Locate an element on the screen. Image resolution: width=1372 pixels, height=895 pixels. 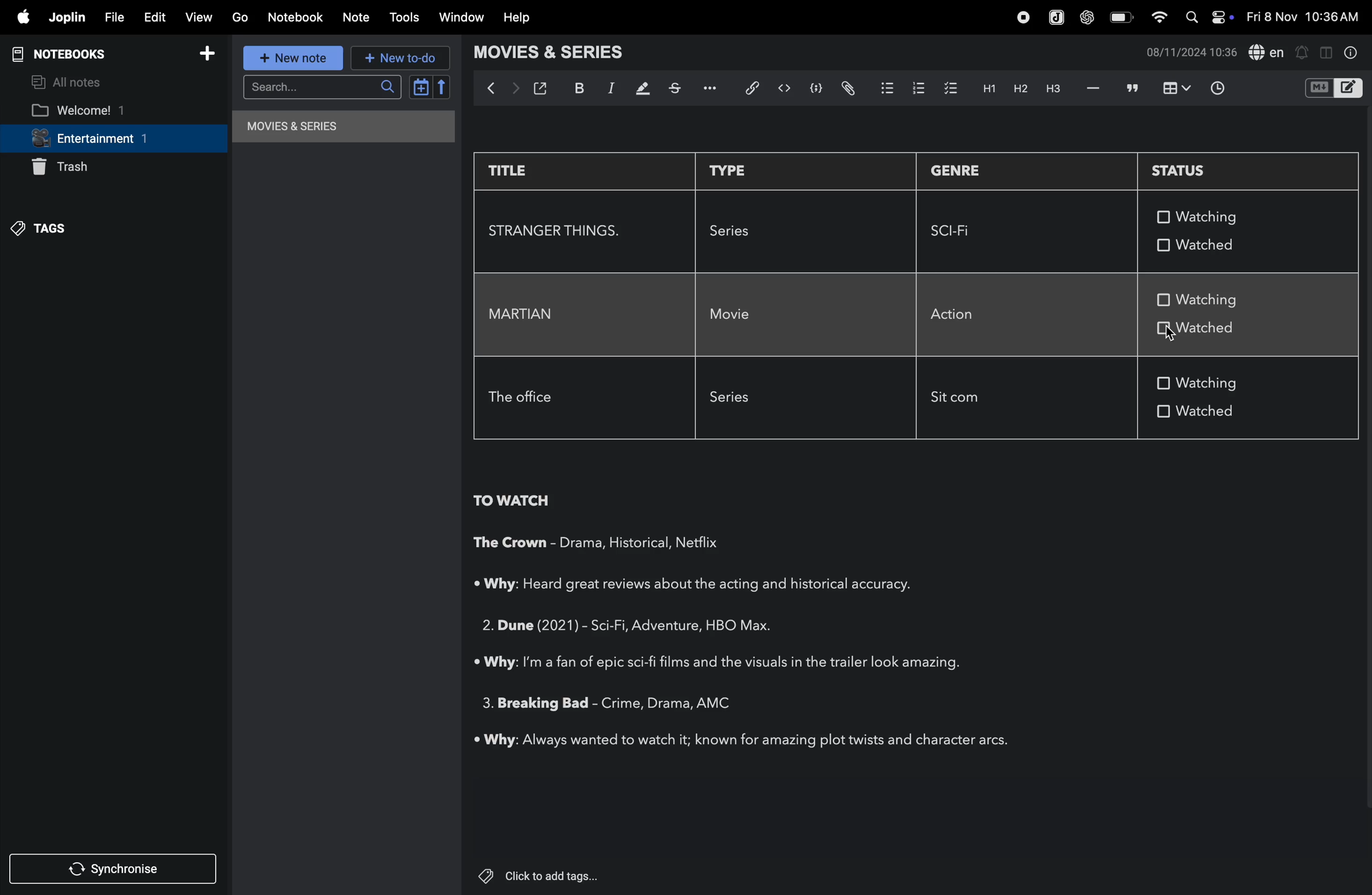
help is located at coordinates (515, 18).